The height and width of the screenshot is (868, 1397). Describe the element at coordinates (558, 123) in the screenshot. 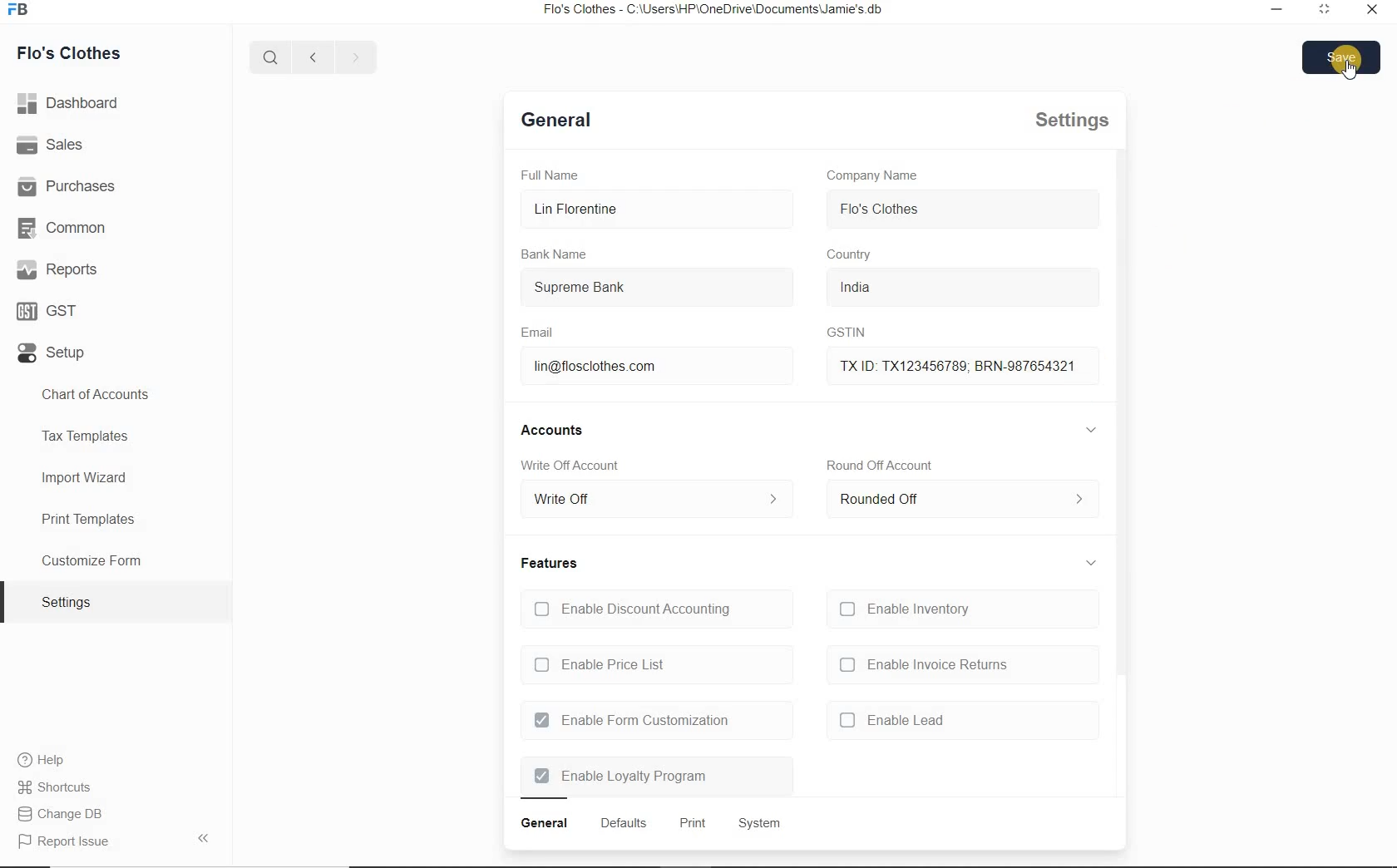

I see `general` at that location.